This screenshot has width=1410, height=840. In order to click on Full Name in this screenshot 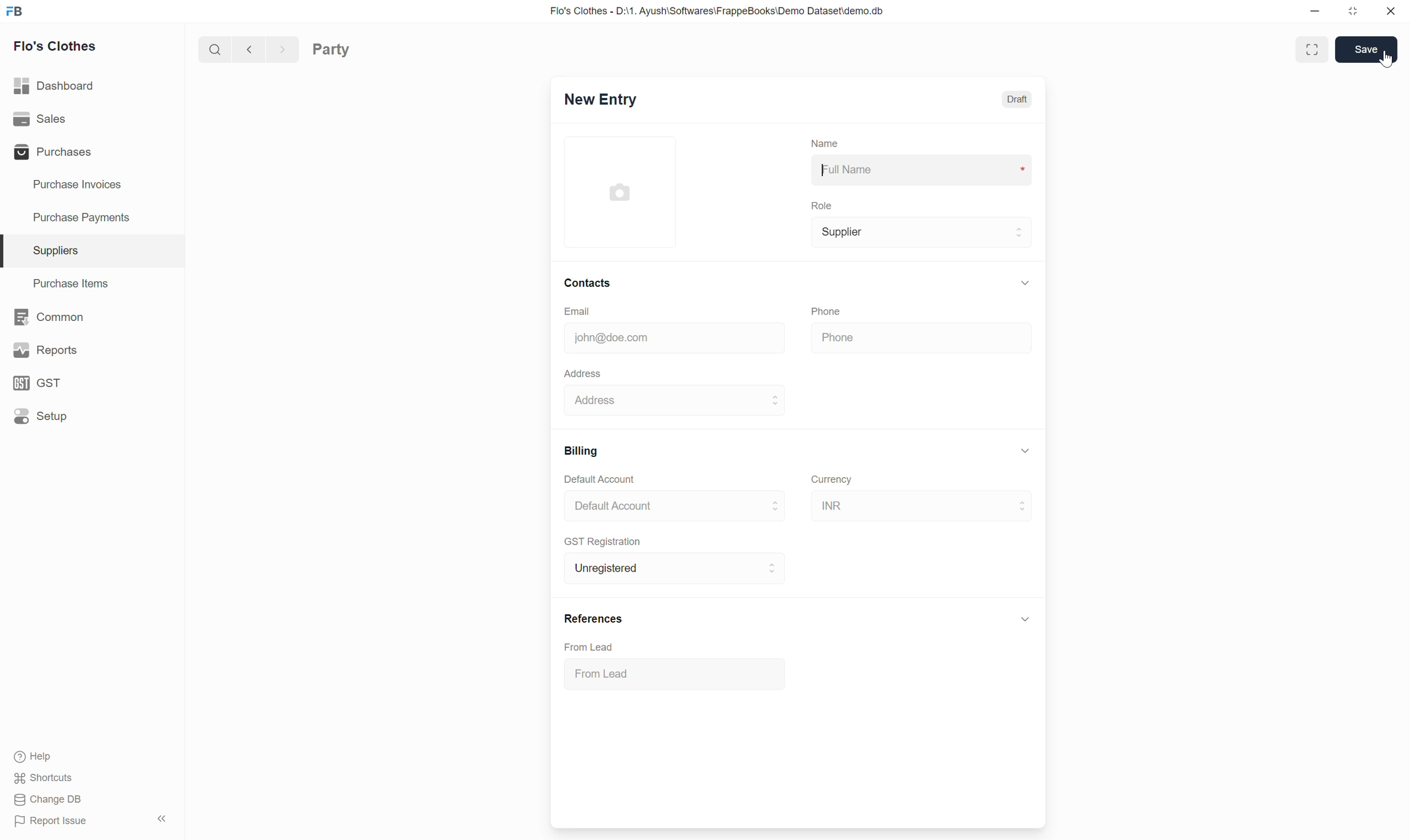, I will do `click(930, 170)`.